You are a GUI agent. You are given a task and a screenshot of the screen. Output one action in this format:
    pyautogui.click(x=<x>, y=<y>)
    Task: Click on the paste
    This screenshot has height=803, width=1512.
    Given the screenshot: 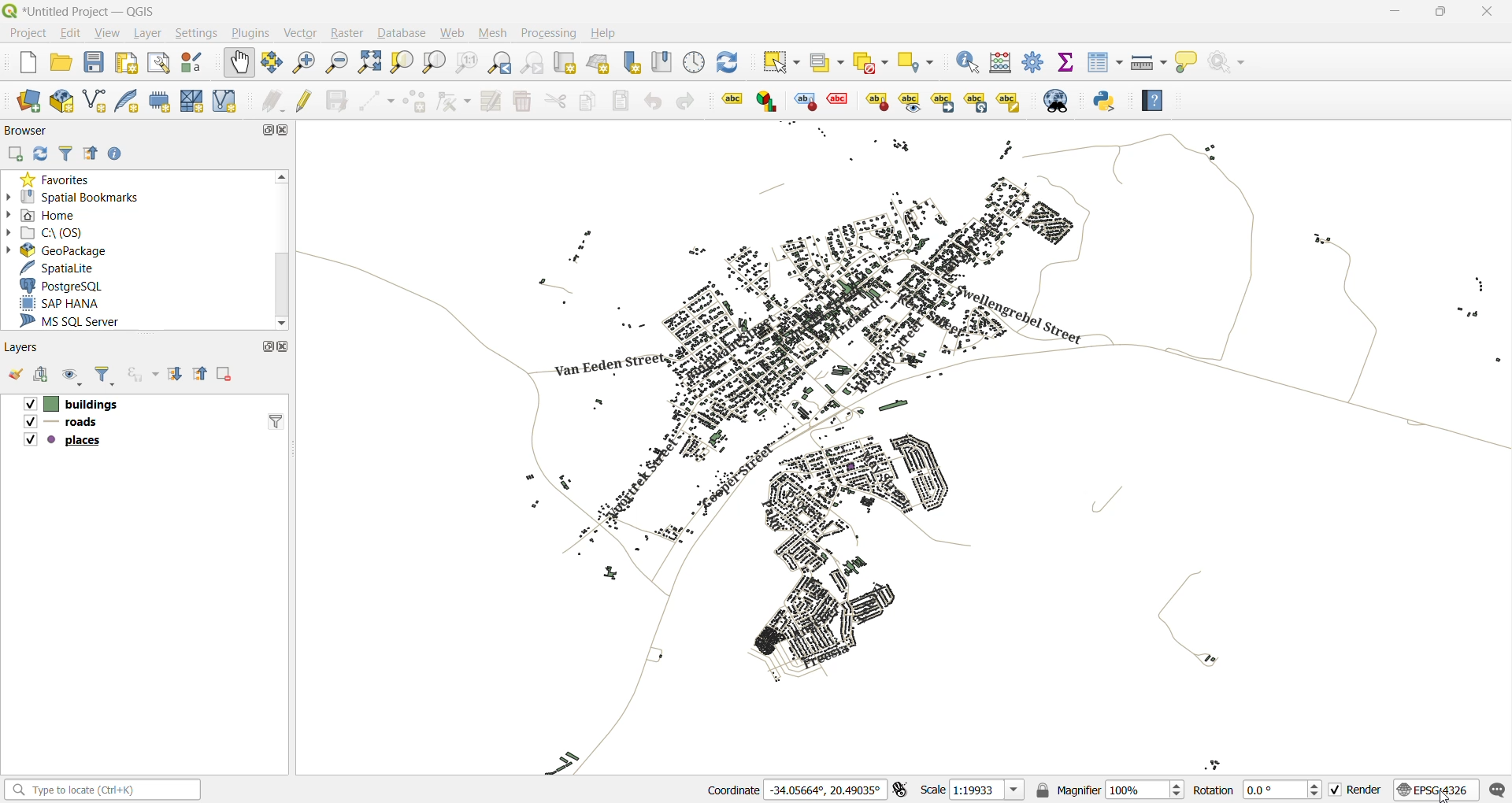 What is the action you would take?
    pyautogui.click(x=617, y=101)
    